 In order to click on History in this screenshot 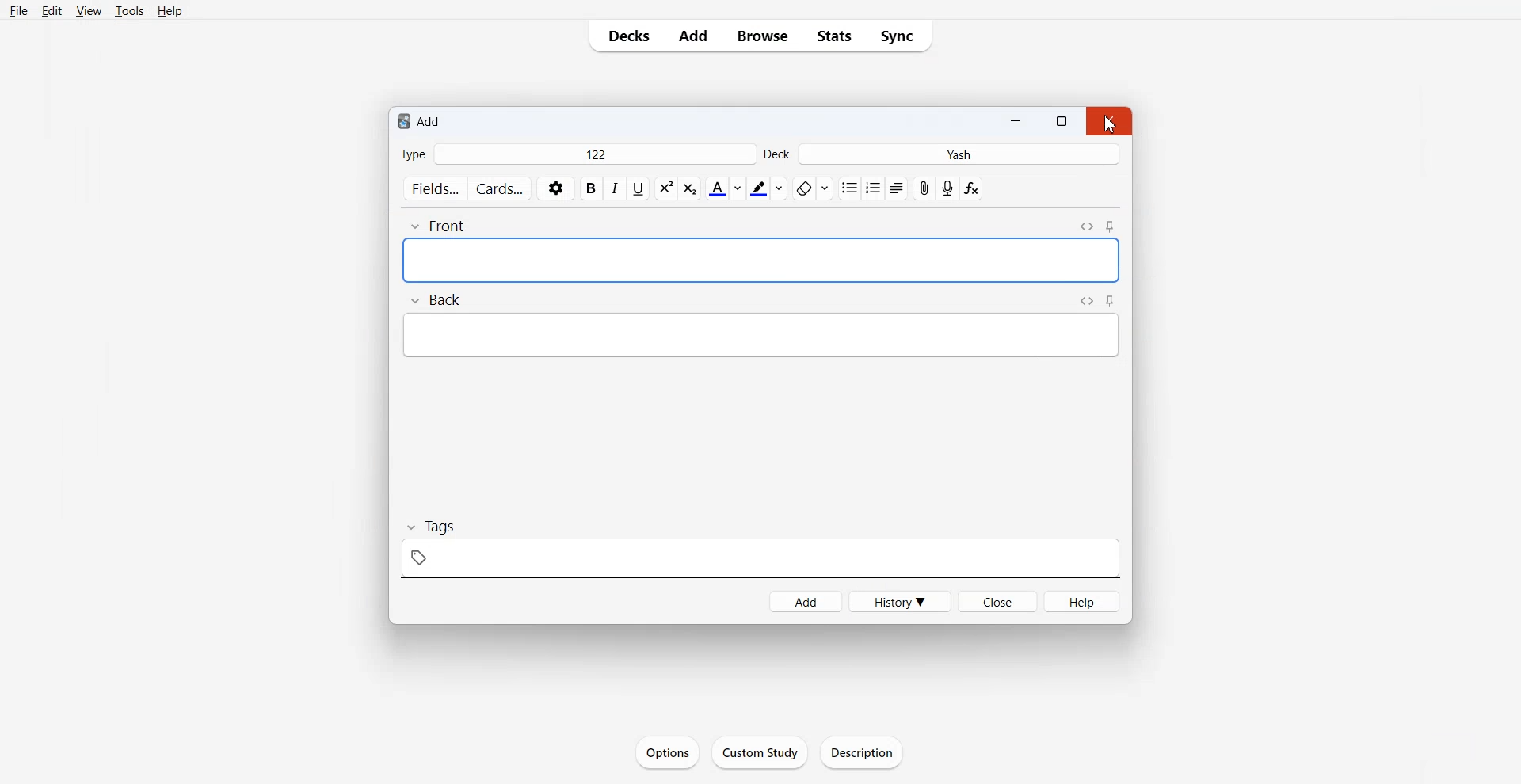, I will do `click(899, 601)`.